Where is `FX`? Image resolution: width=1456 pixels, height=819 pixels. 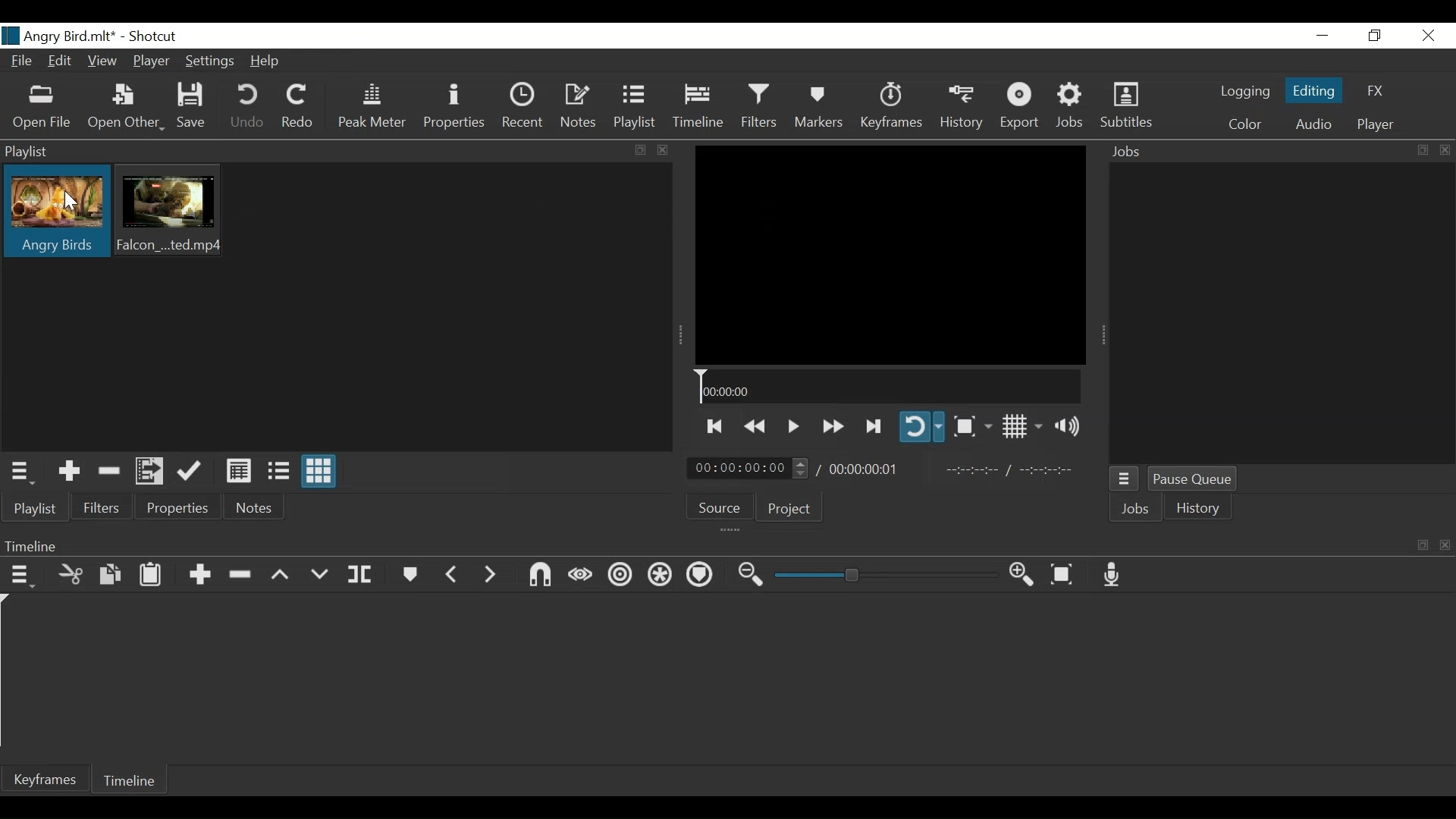 FX is located at coordinates (1375, 90).